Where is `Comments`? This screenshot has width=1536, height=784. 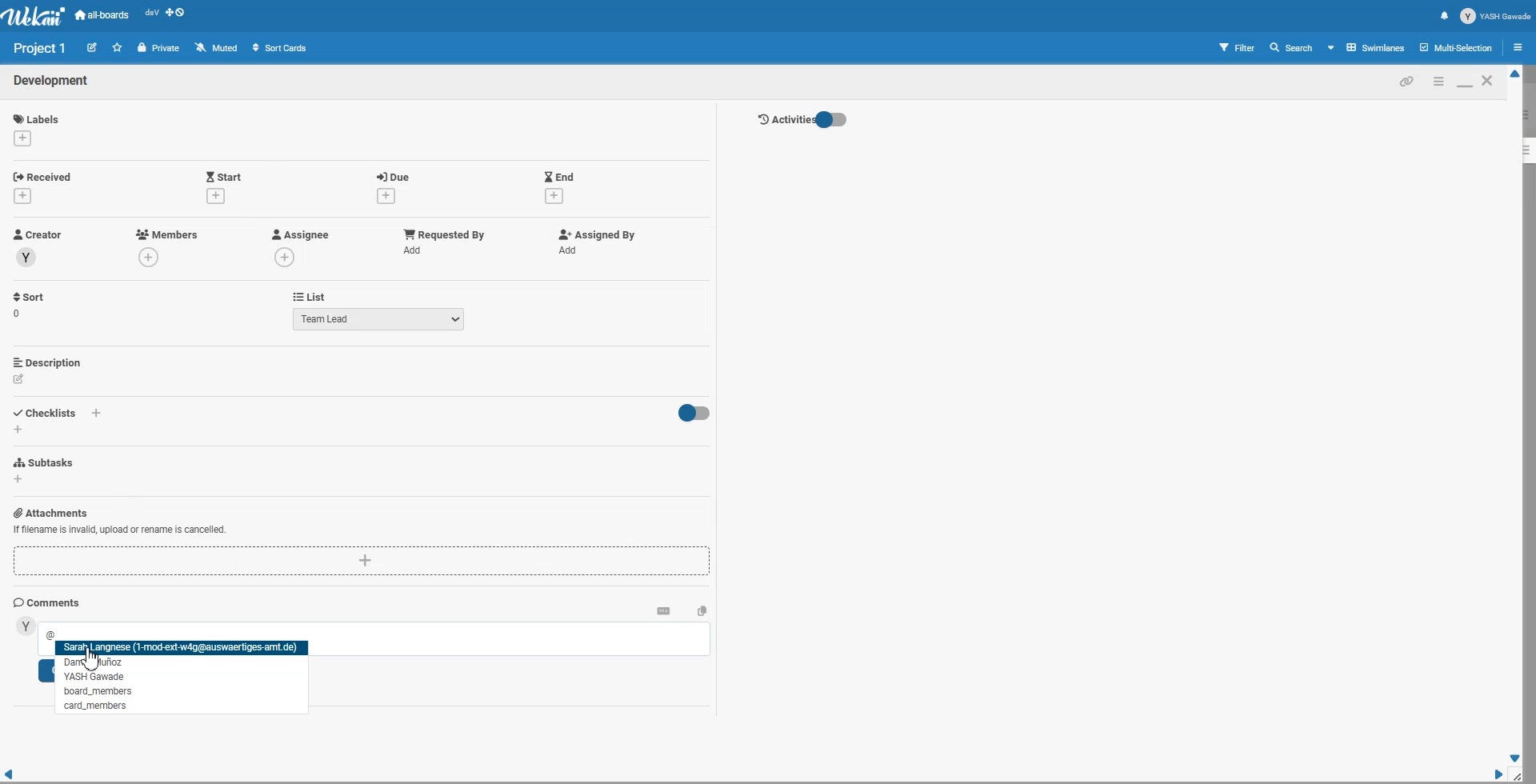
Comments is located at coordinates (47, 602).